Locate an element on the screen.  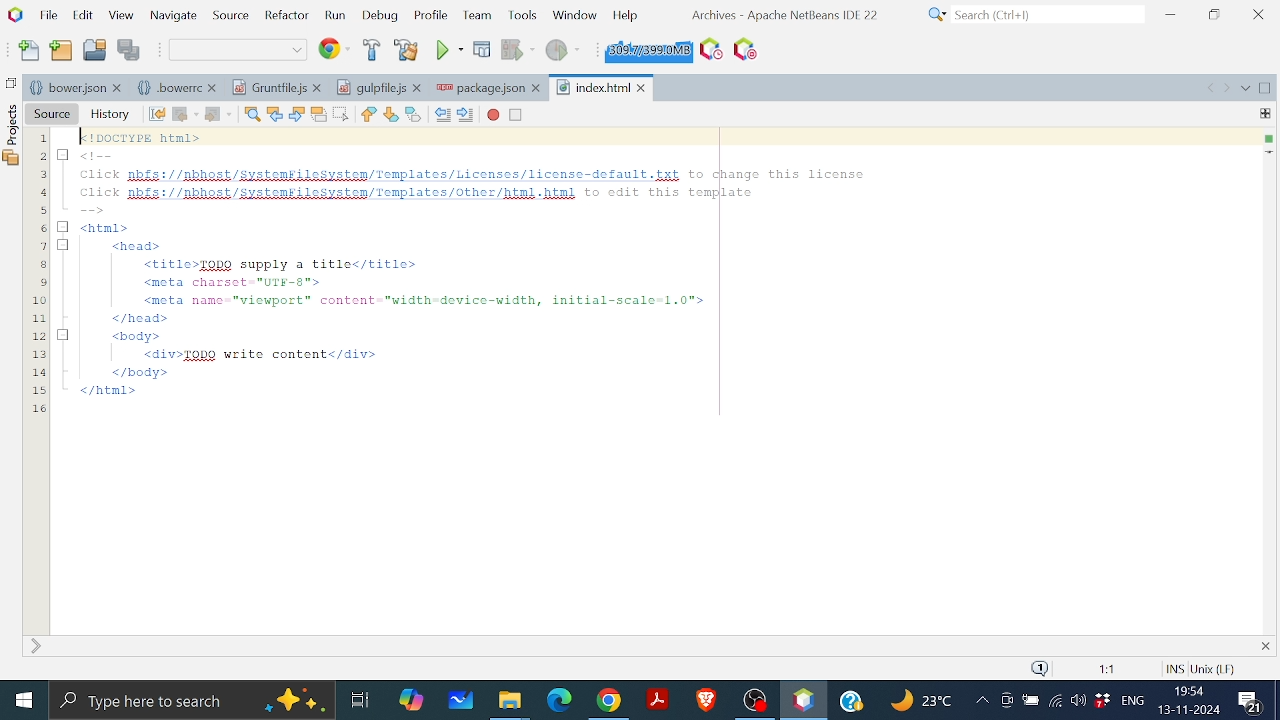
Source is located at coordinates (228, 19).